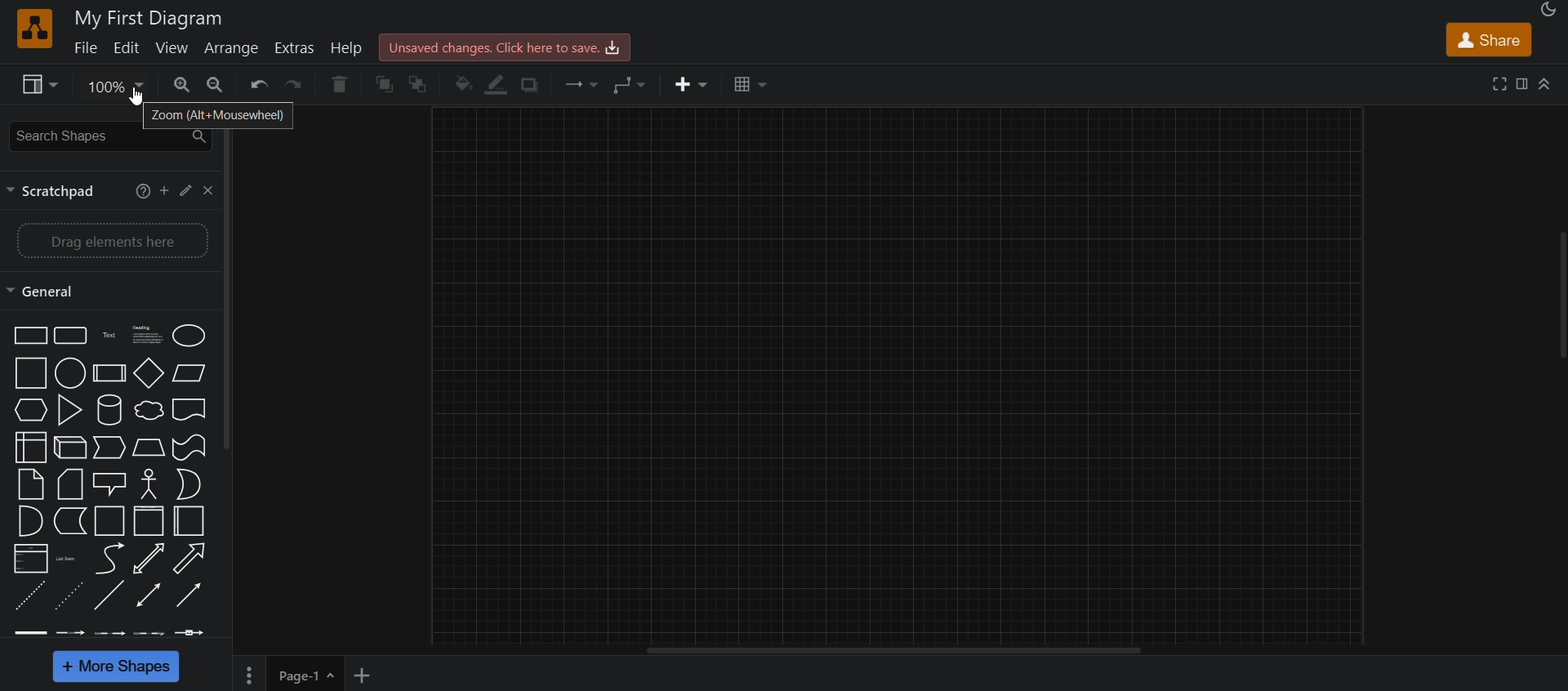  Describe the element at coordinates (584, 84) in the screenshot. I see `connection` at that location.